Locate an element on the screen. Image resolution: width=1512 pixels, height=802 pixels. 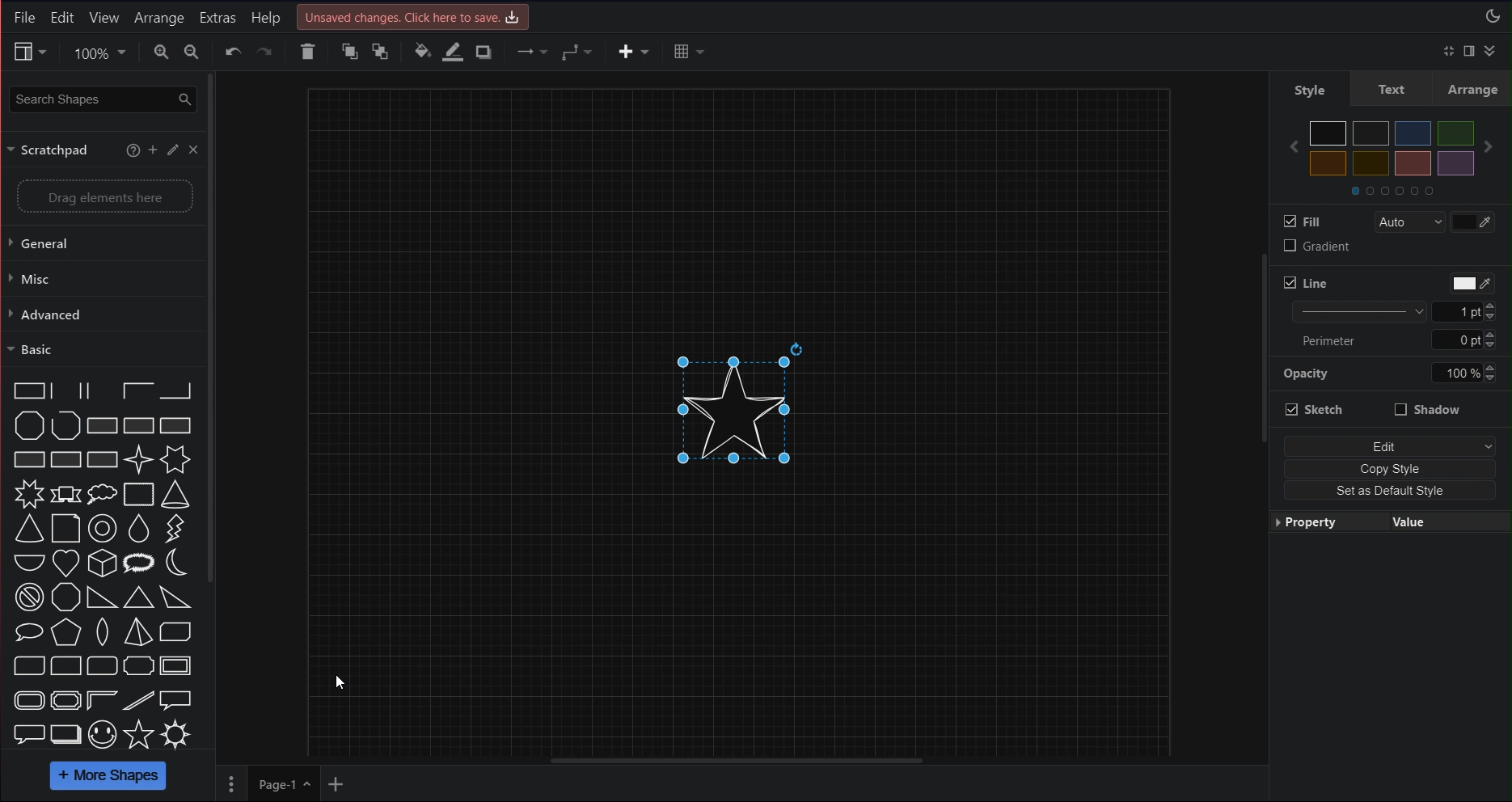
Paint is located at coordinates (423, 49).